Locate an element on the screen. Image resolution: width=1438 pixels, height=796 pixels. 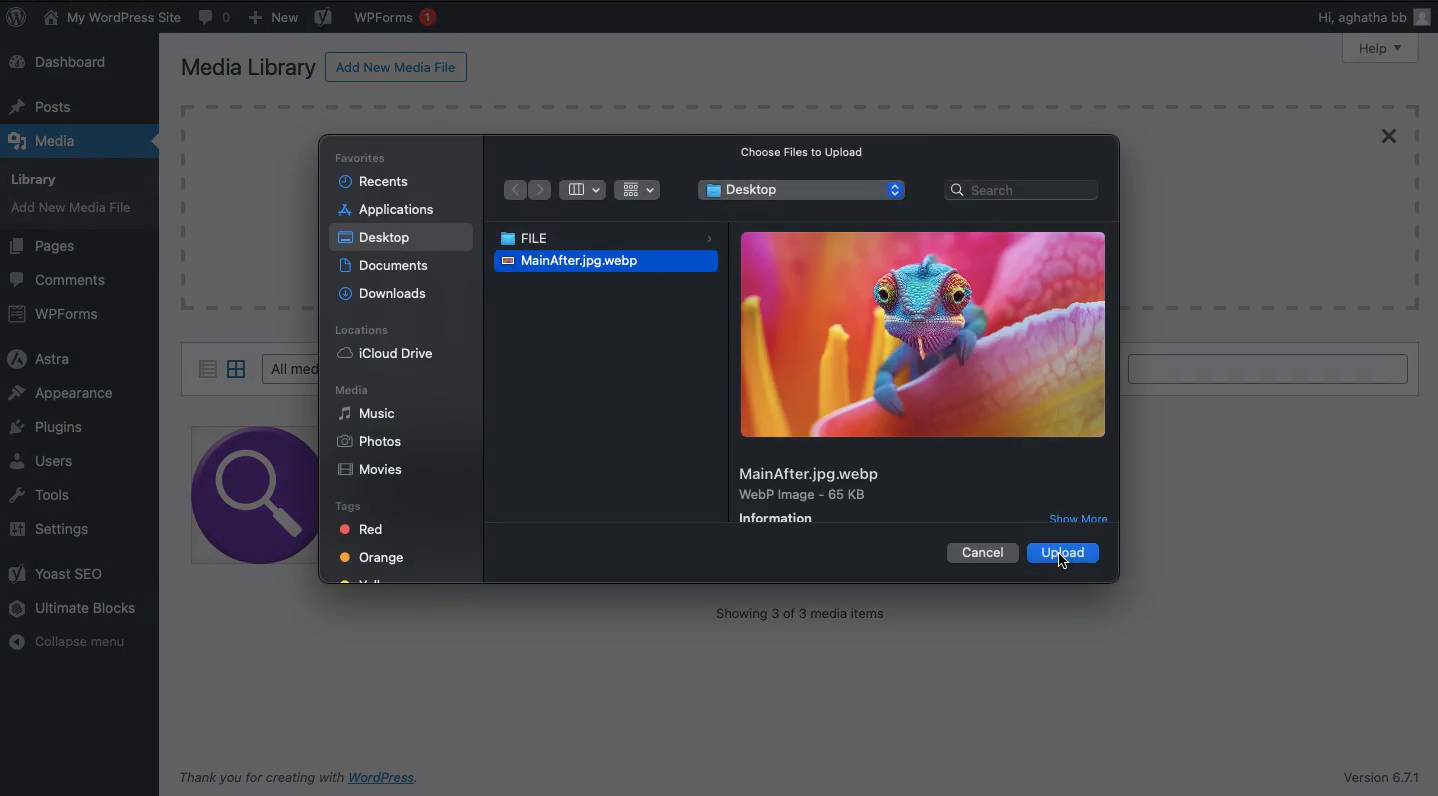
Choose files to upload is located at coordinates (806, 151).